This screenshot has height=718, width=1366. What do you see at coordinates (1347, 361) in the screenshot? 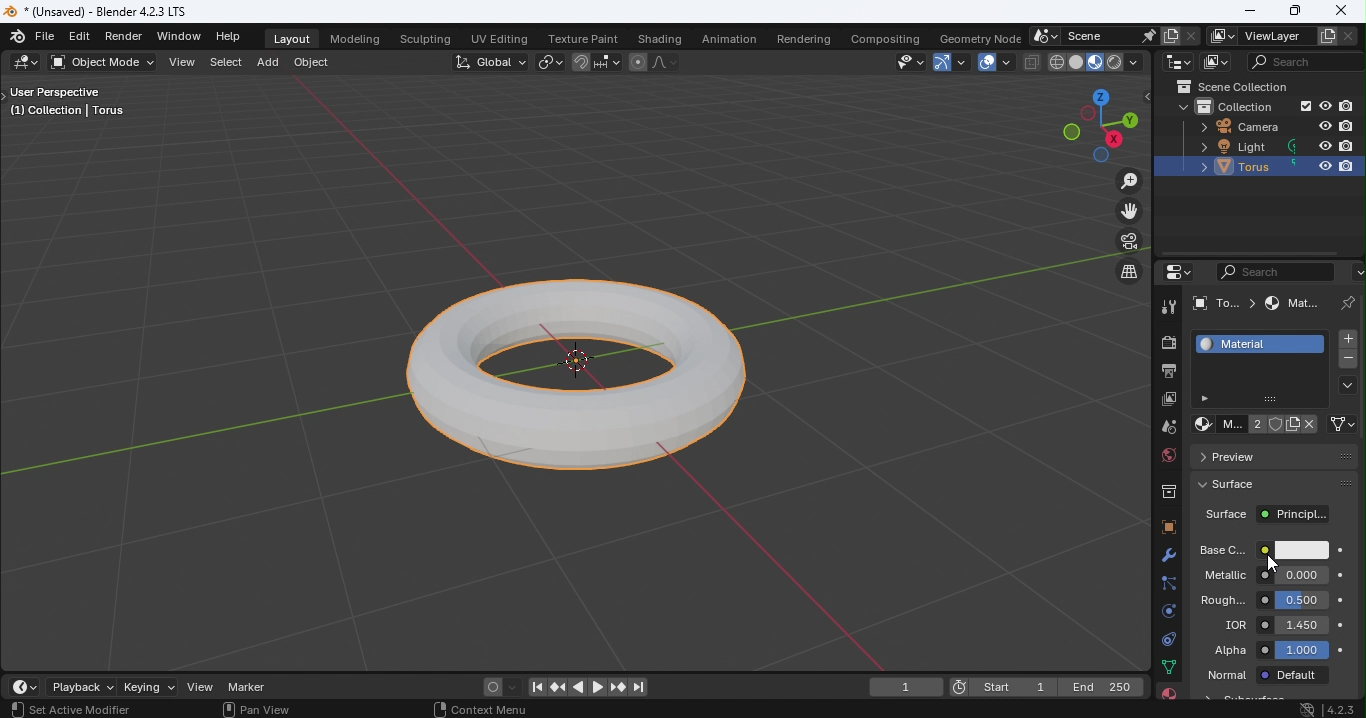
I see `Remove material slot` at bounding box center [1347, 361].